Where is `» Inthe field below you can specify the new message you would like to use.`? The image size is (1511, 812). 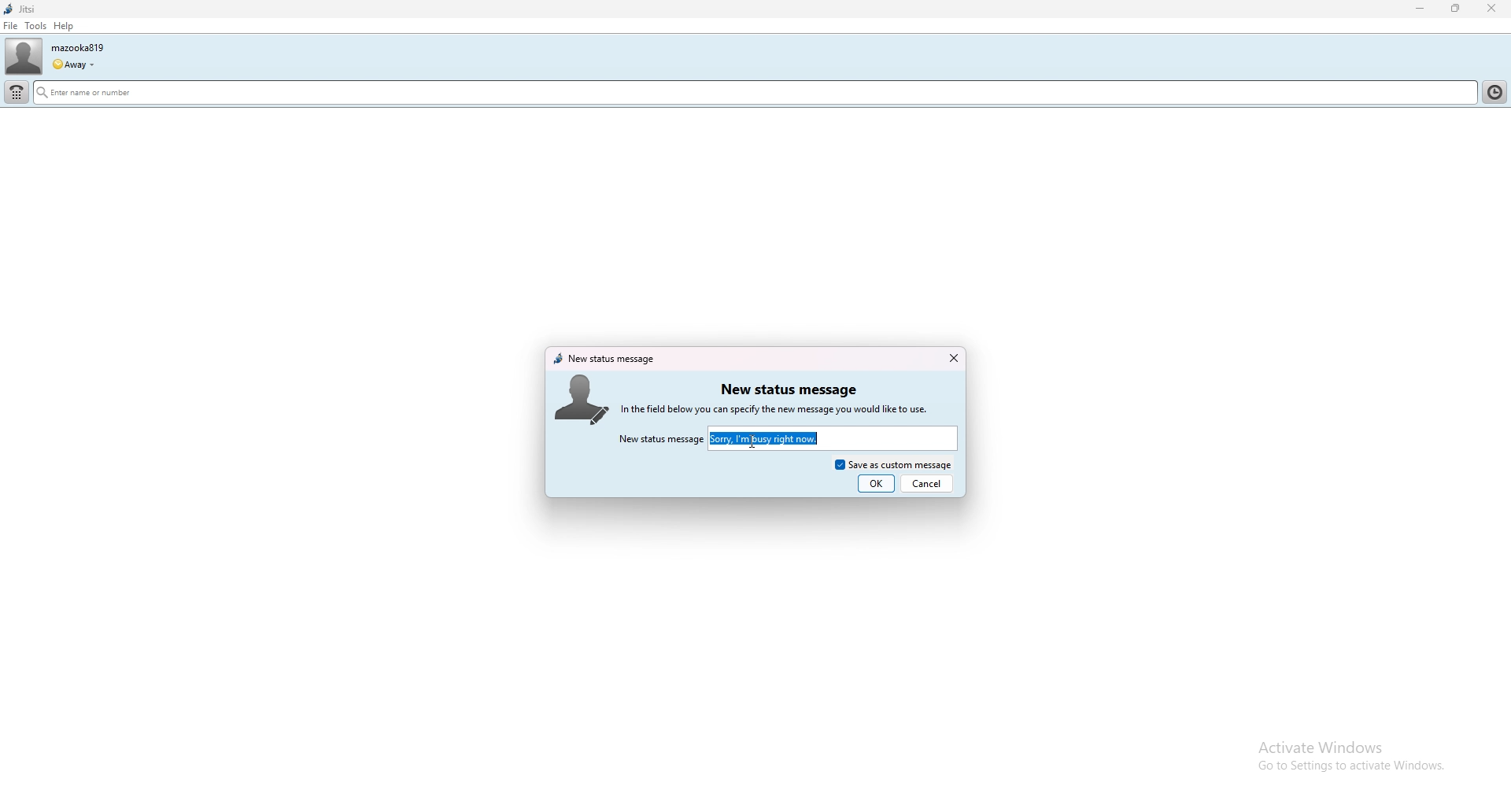 » Inthe field below you can specify the new message you would like to use. is located at coordinates (790, 409).